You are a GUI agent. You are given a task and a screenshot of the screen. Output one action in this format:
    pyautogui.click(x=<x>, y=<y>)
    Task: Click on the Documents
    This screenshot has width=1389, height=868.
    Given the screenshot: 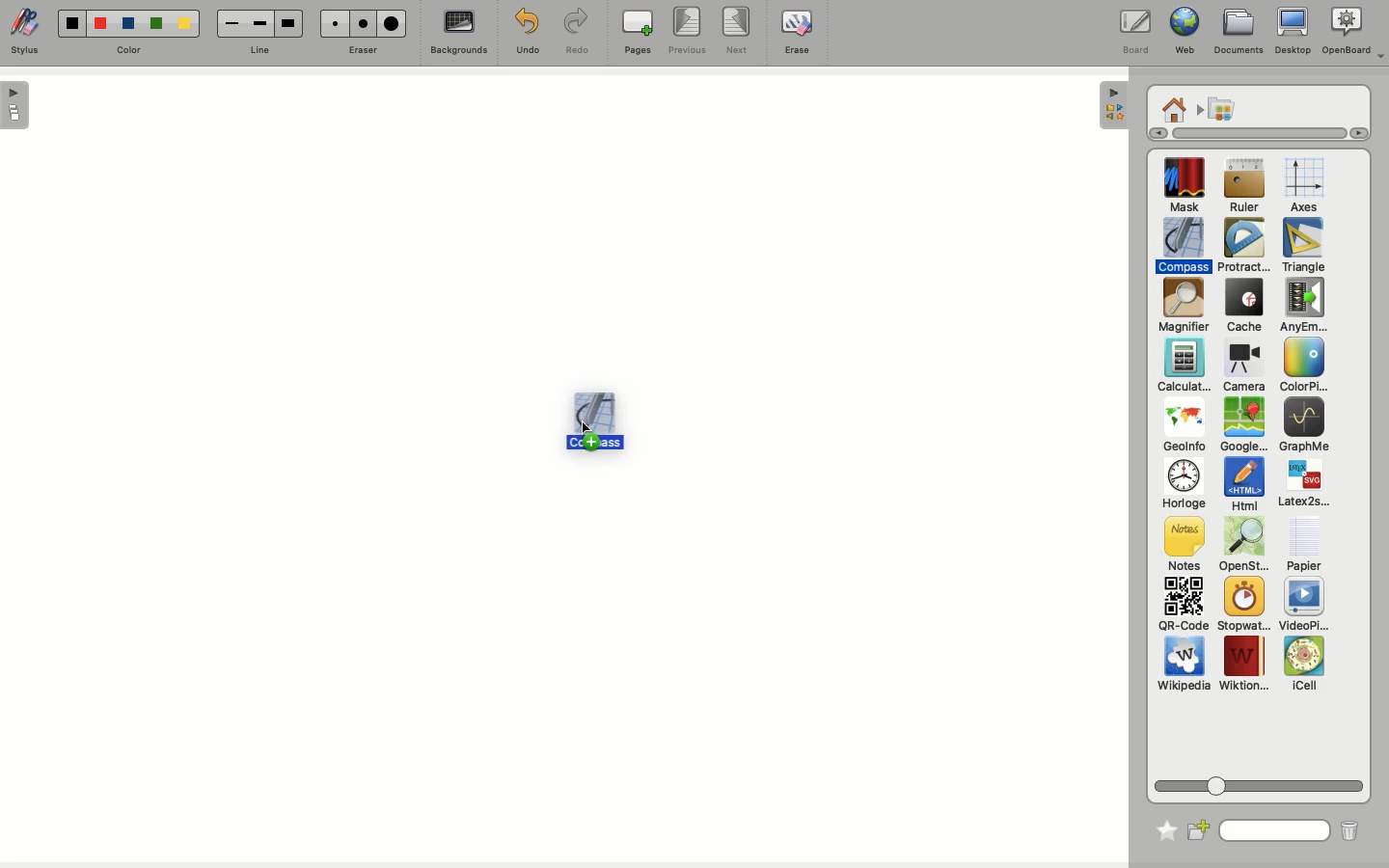 What is the action you would take?
    pyautogui.click(x=1239, y=32)
    